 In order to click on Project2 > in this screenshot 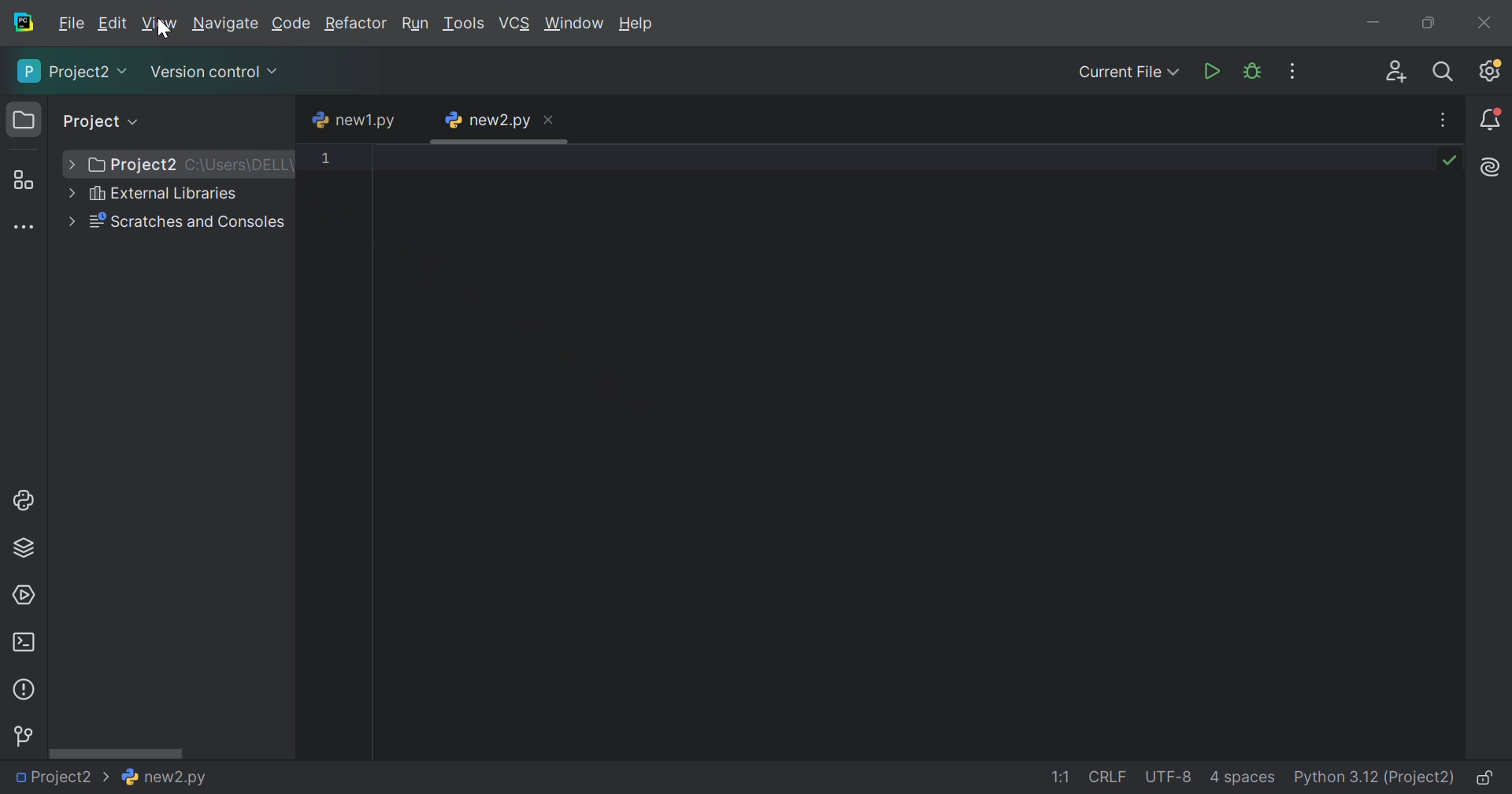, I will do `click(59, 777)`.